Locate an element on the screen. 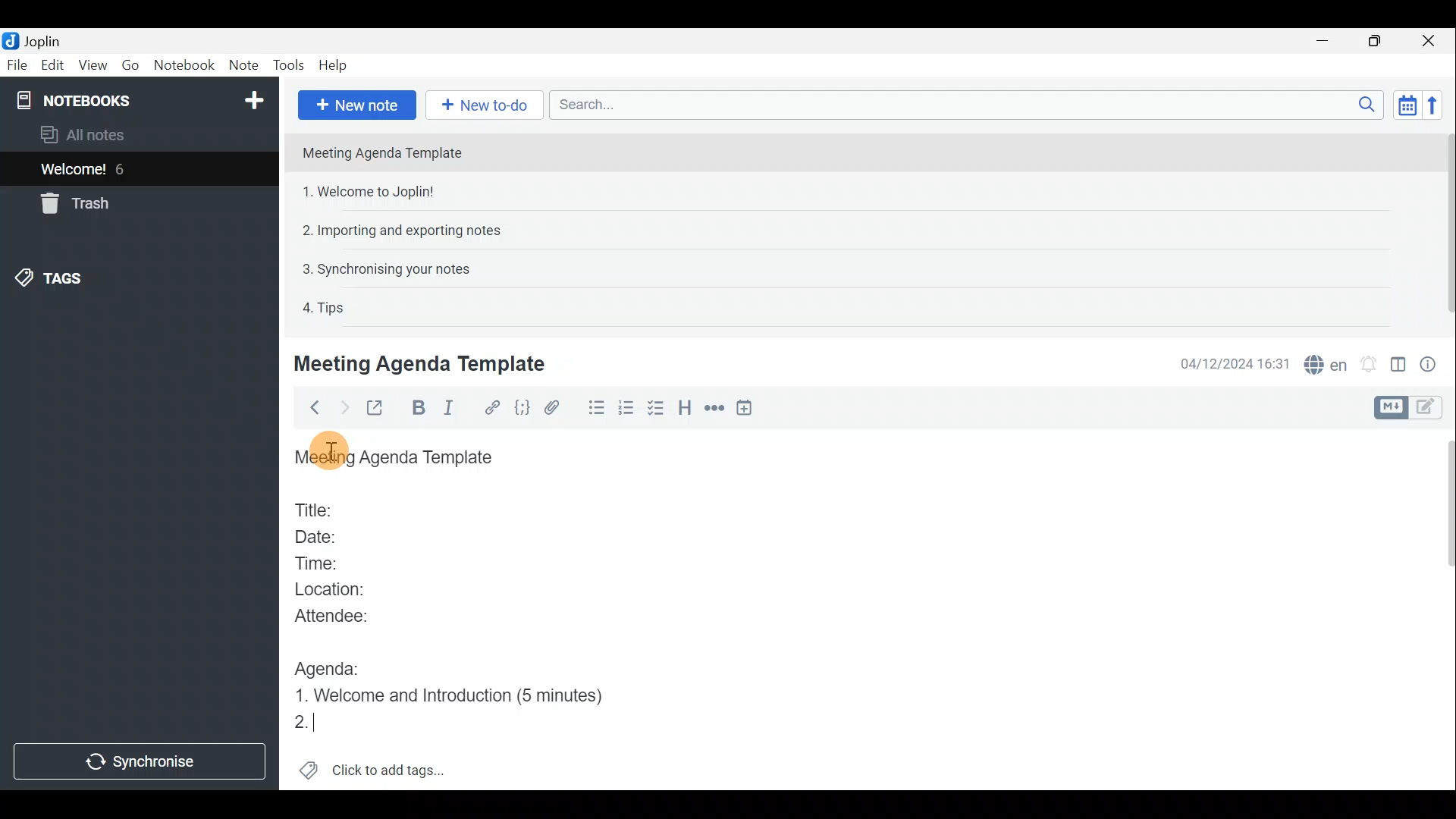 This screenshot has height=819, width=1456. File is located at coordinates (17, 64).